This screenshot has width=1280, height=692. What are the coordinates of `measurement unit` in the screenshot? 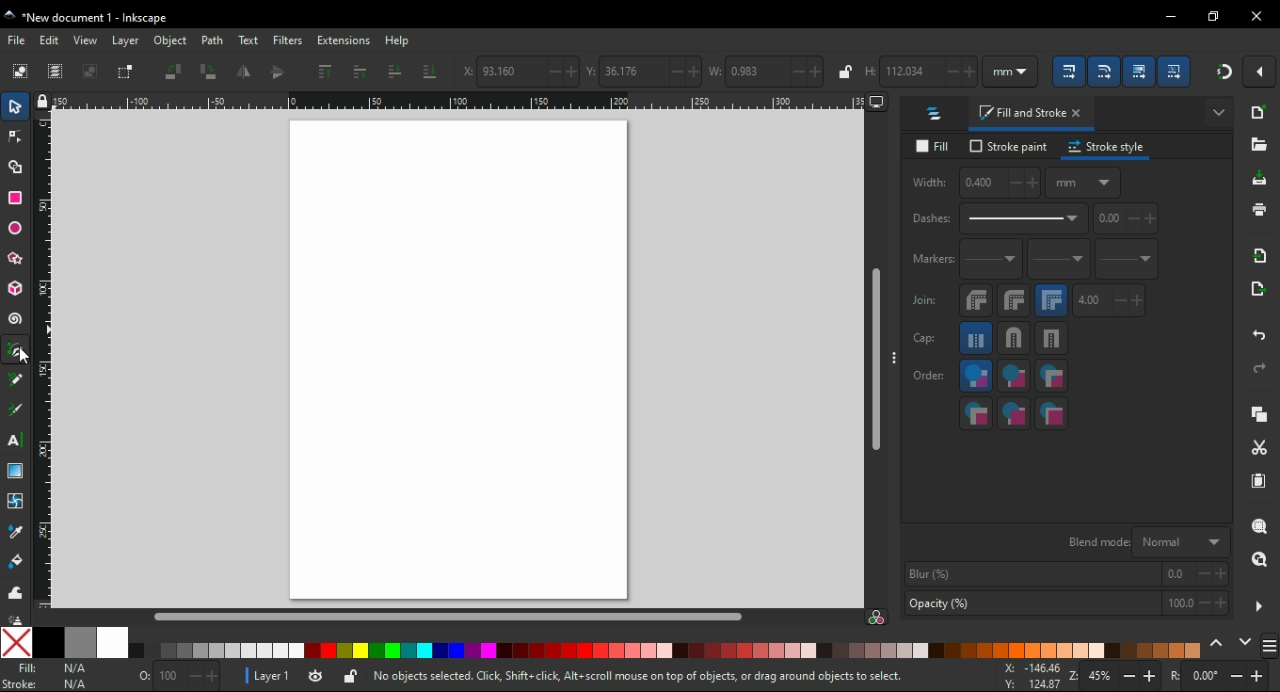 It's located at (1012, 71).